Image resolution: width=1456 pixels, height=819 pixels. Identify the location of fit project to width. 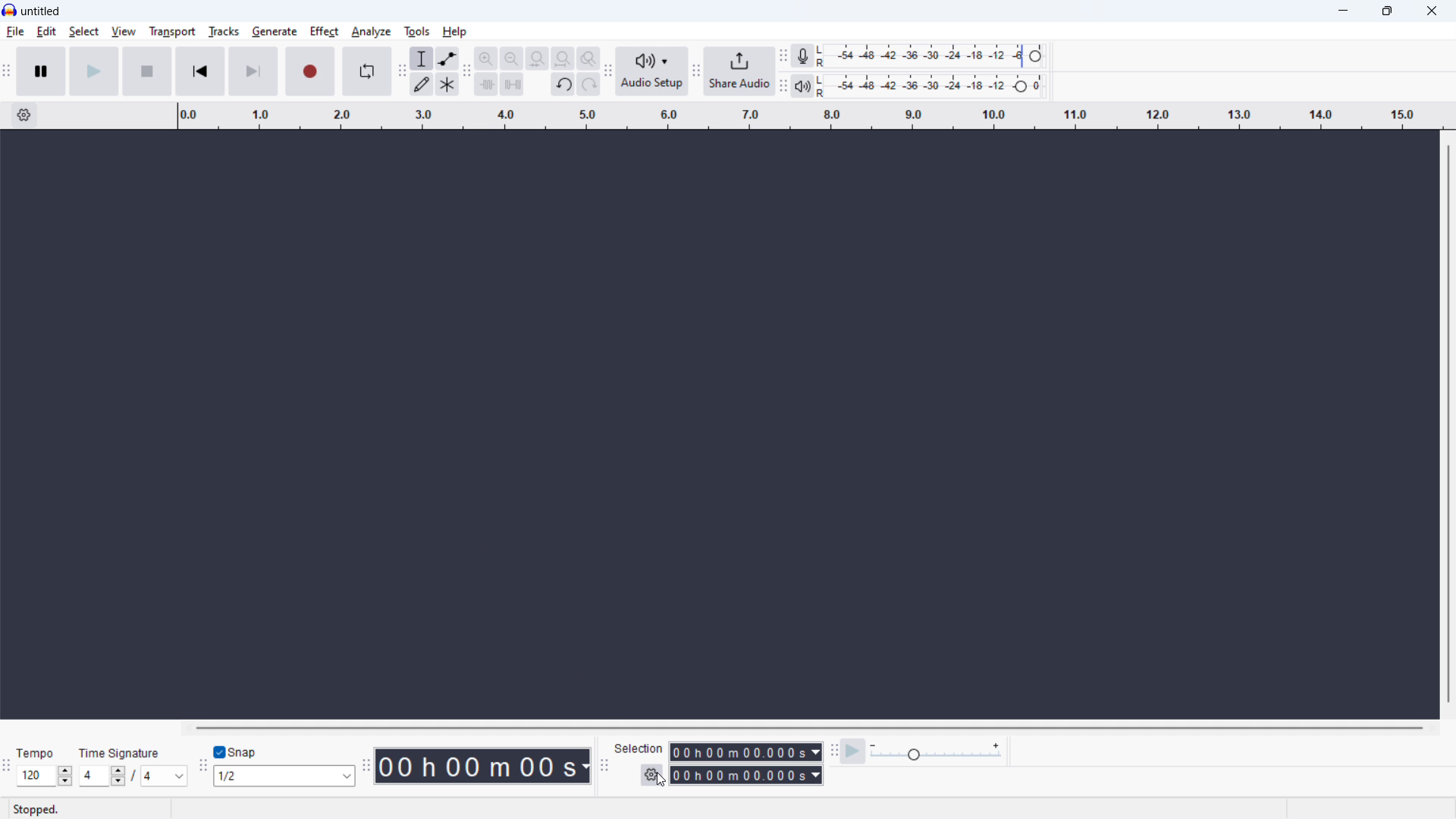
(563, 58).